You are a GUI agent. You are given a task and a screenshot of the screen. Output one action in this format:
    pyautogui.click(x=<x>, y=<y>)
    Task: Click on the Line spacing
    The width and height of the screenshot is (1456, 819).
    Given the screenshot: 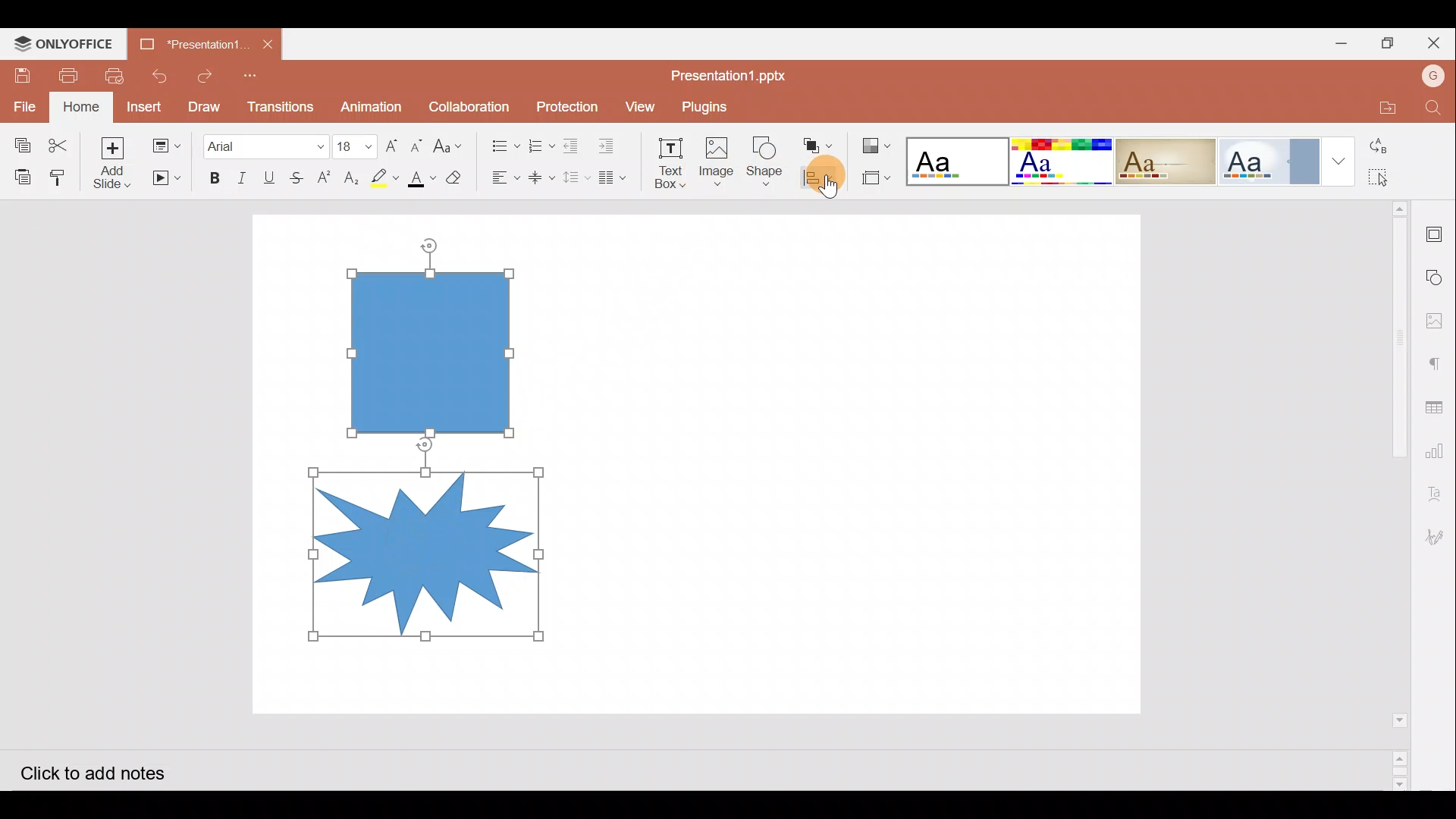 What is the action you would take?
    pyautogui.click(x=576, y=178)
    